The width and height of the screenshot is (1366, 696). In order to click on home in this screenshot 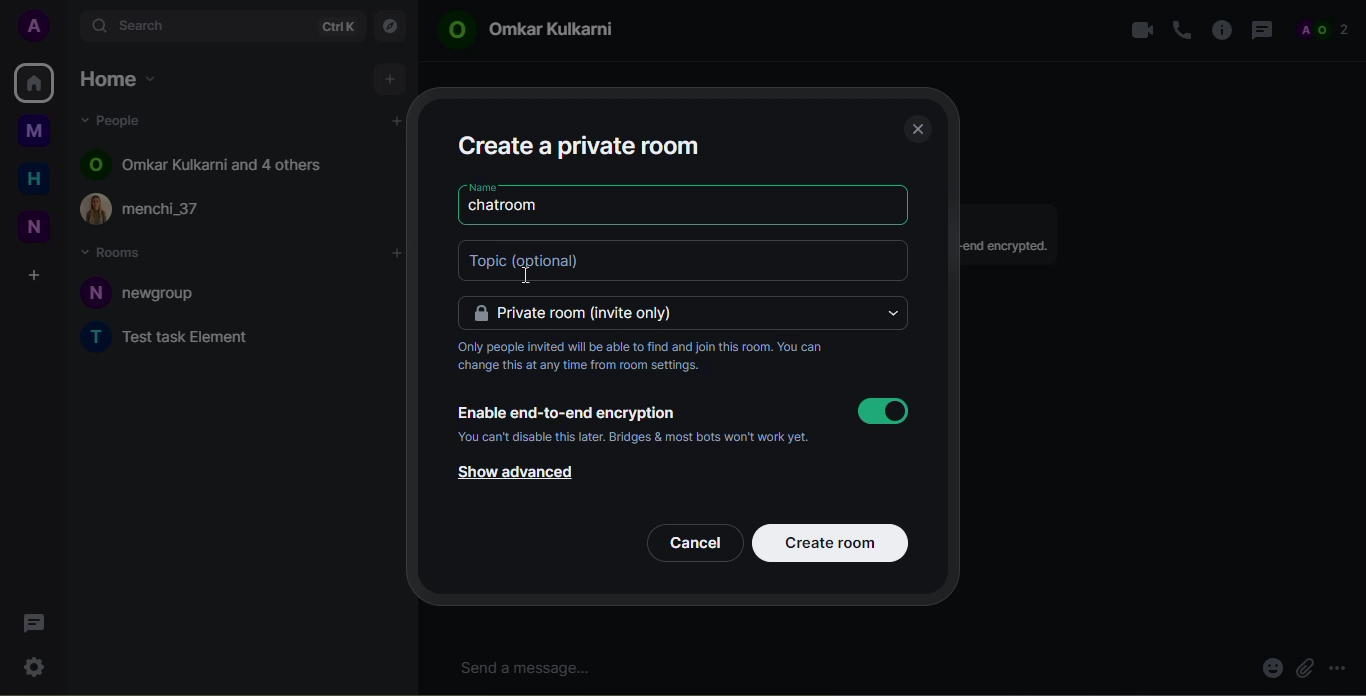, I will do `click(34, 81)`.